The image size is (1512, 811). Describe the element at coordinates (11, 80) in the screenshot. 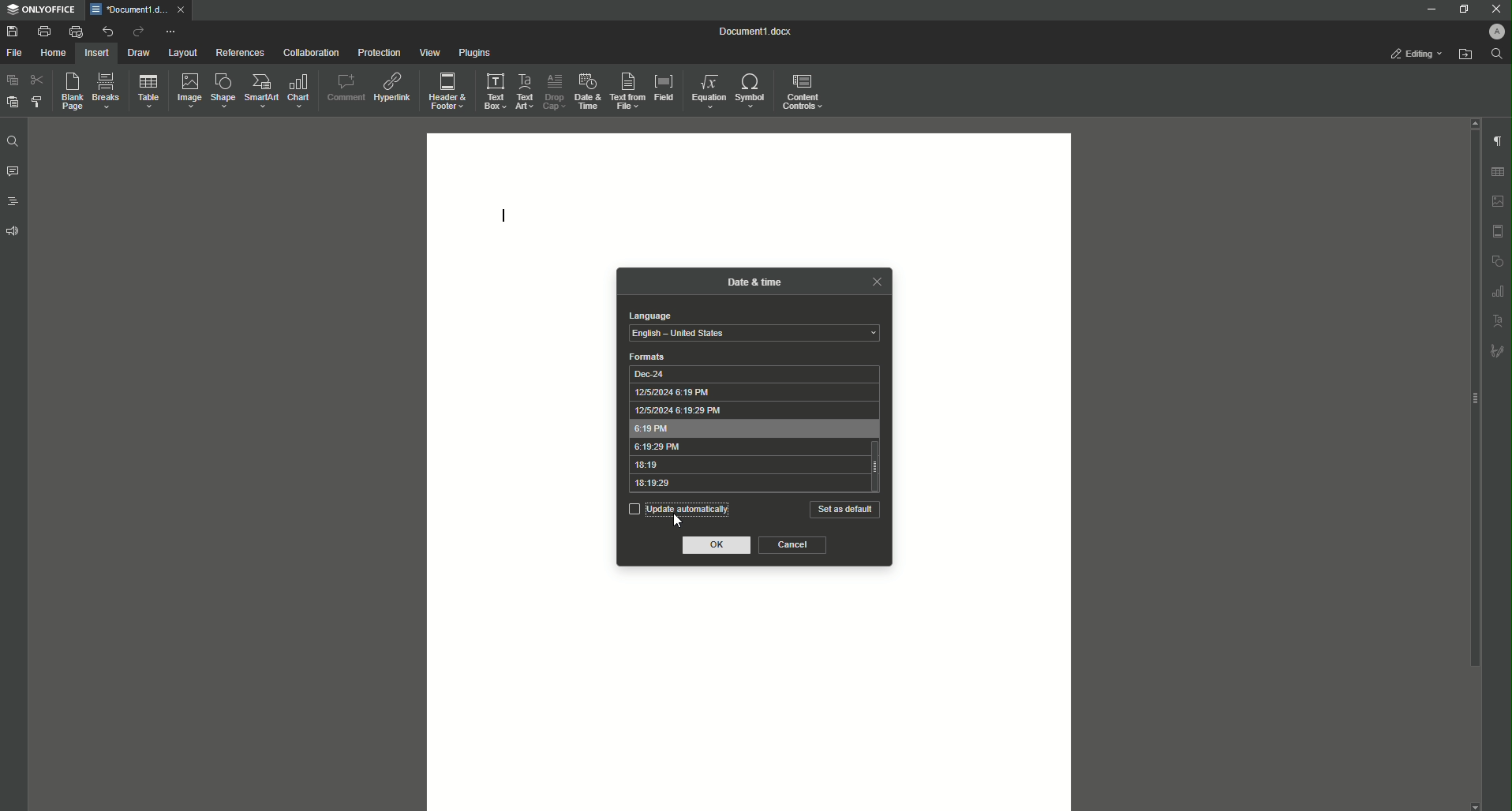

I see `Paste` at that location.